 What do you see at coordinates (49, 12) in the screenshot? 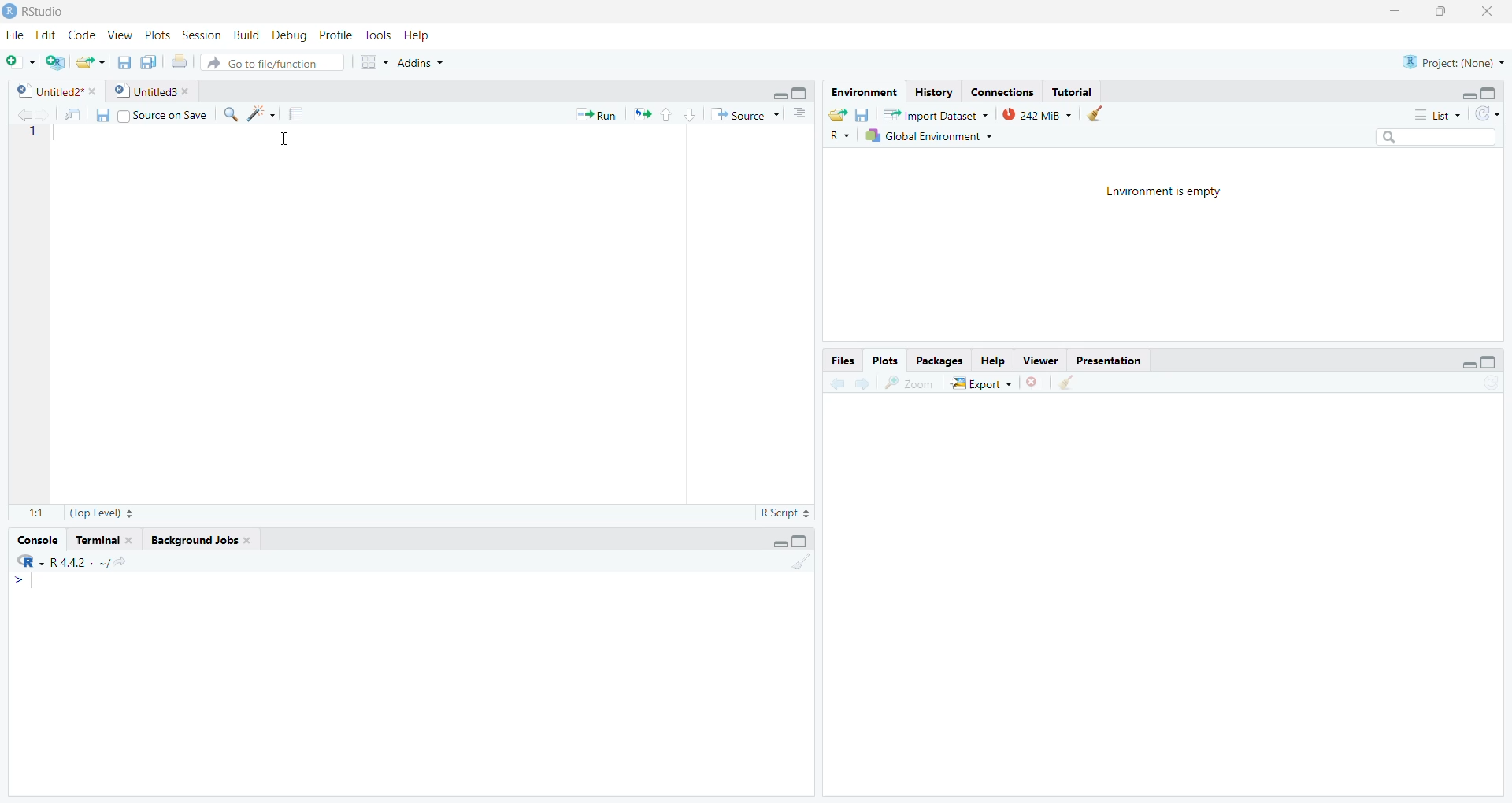
I see `RStudio` at bounding box center [49, 12].